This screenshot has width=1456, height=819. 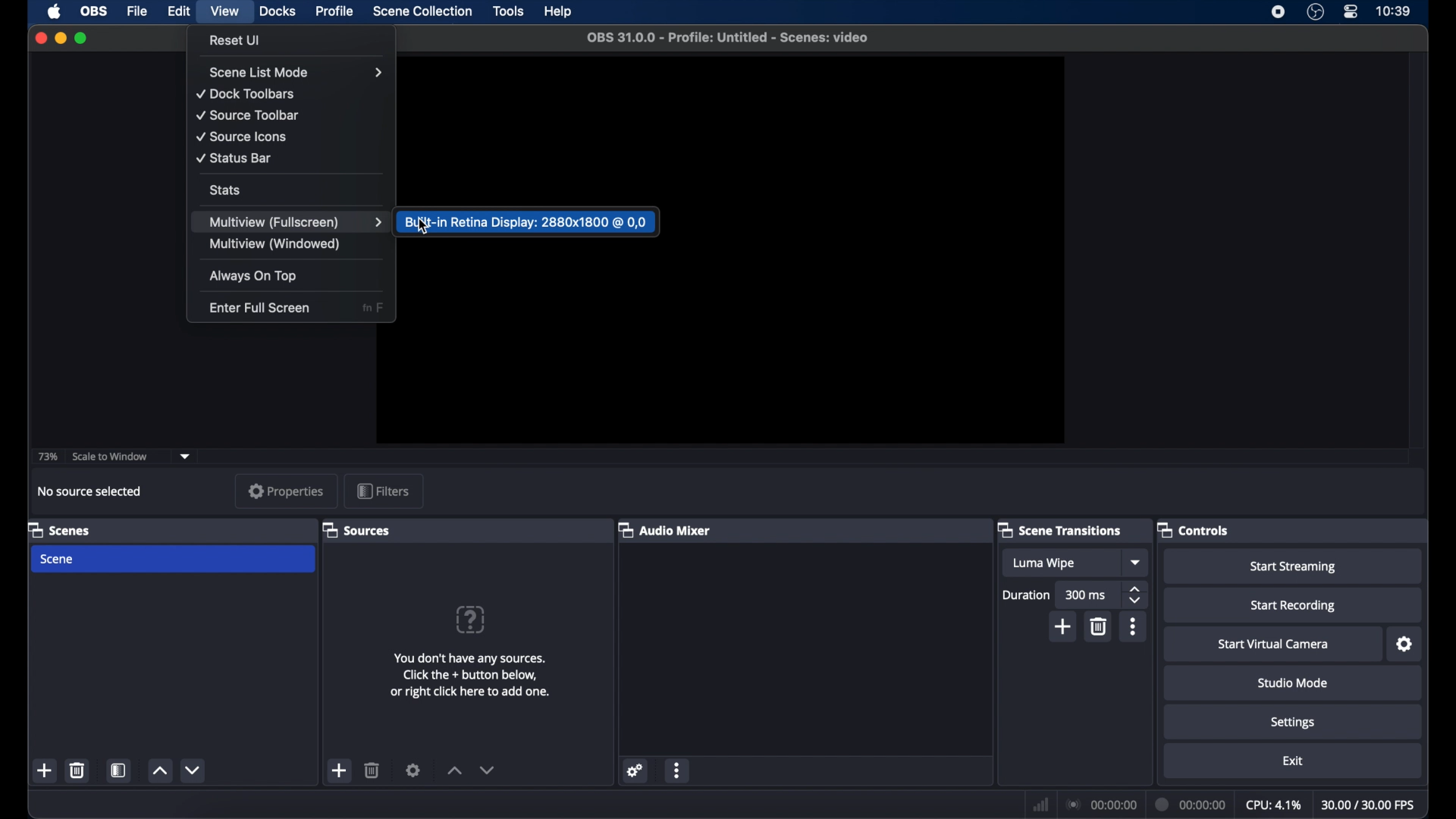 I want to click on file, so click(x=137, y=11).